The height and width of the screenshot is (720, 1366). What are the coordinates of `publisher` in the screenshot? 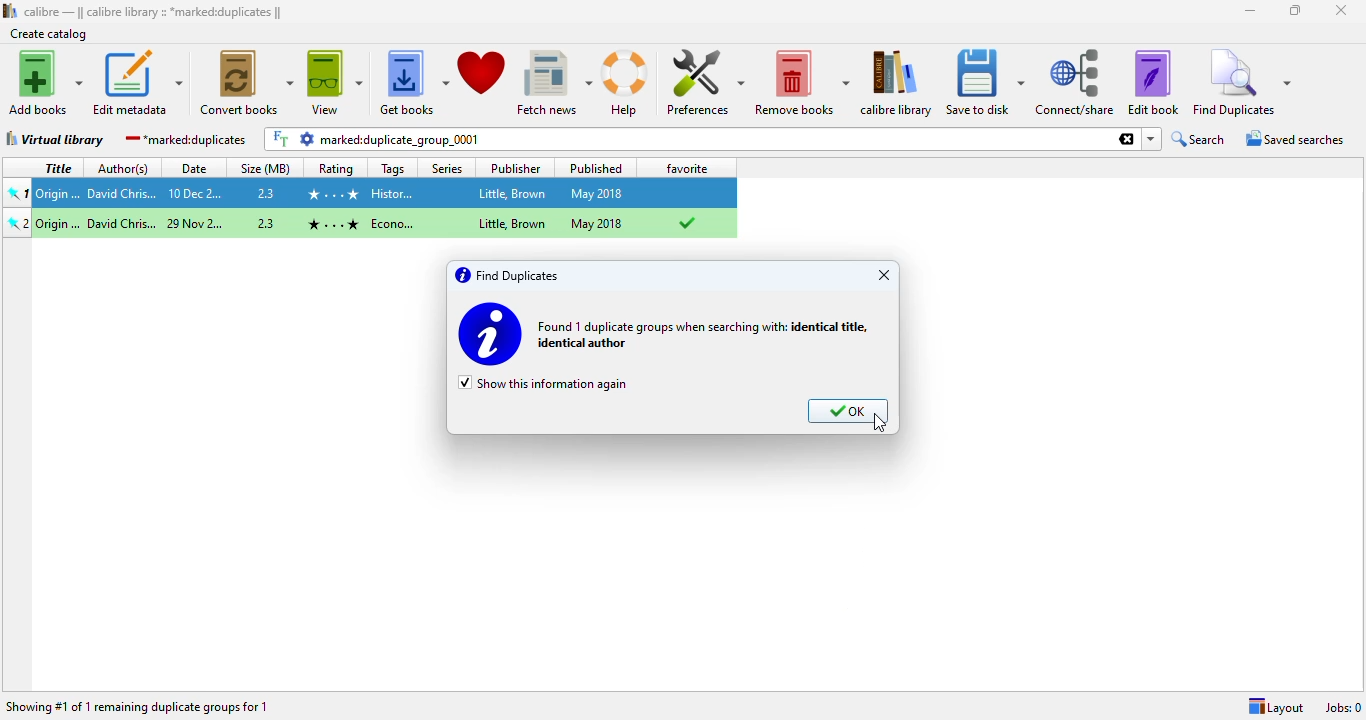 It's located at (521, 166).